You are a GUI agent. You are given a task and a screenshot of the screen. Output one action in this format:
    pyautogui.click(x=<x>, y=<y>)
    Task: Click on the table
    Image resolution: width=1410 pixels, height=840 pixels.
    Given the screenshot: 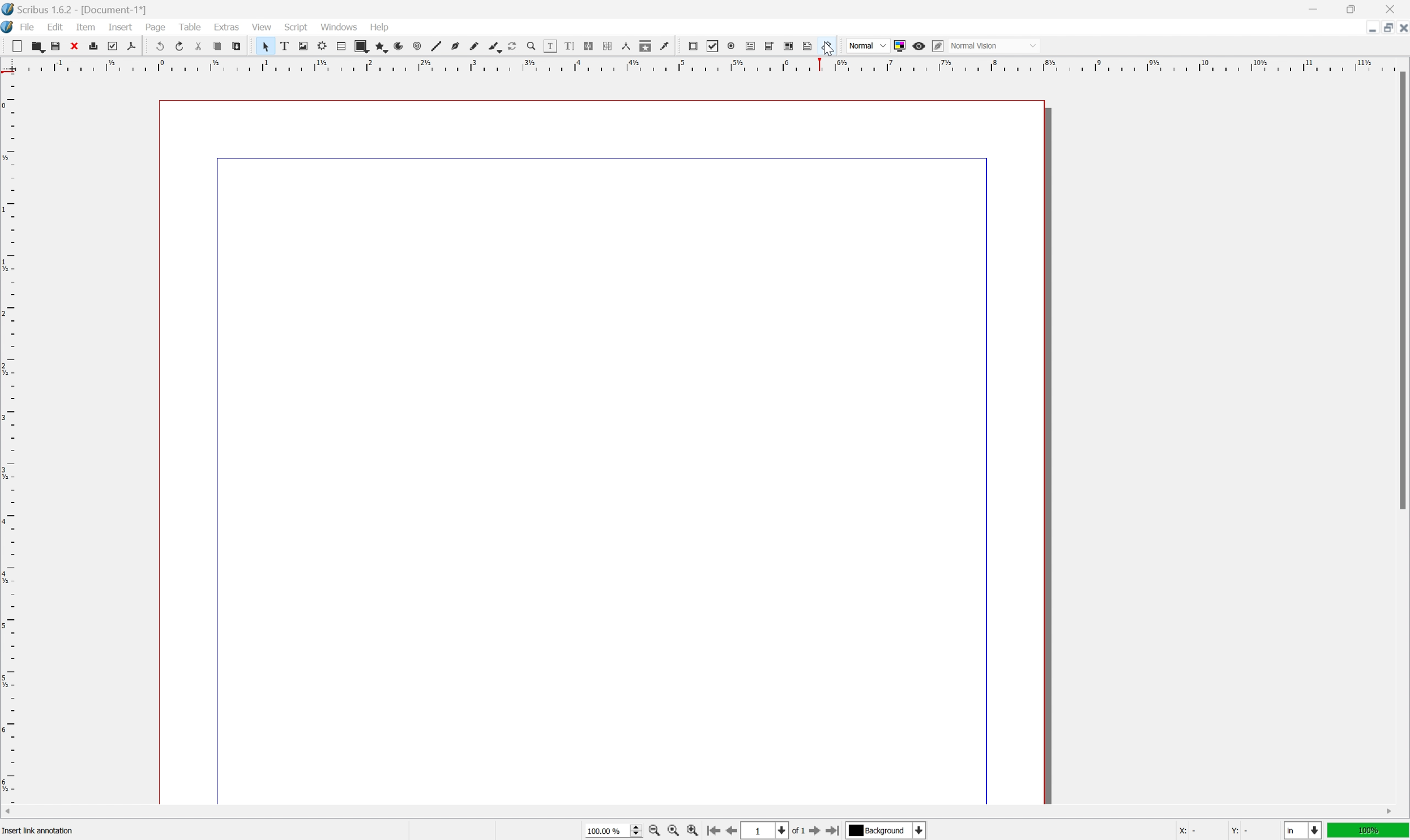 What is the action you would take?
    pyautogui.click(x=189, y=25)
    